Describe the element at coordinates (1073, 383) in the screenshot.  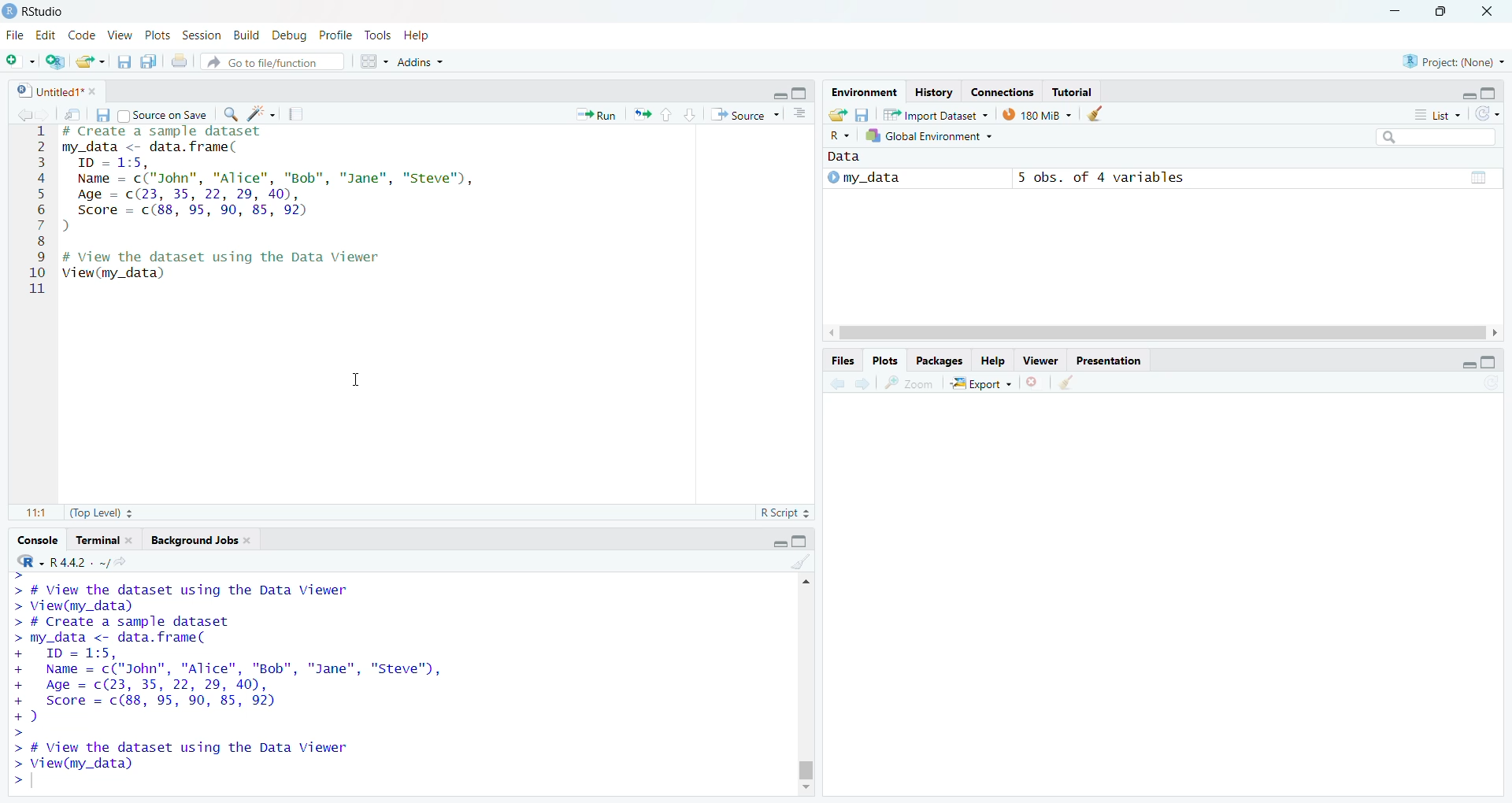
I see `Clear object for workspaces` at that location.